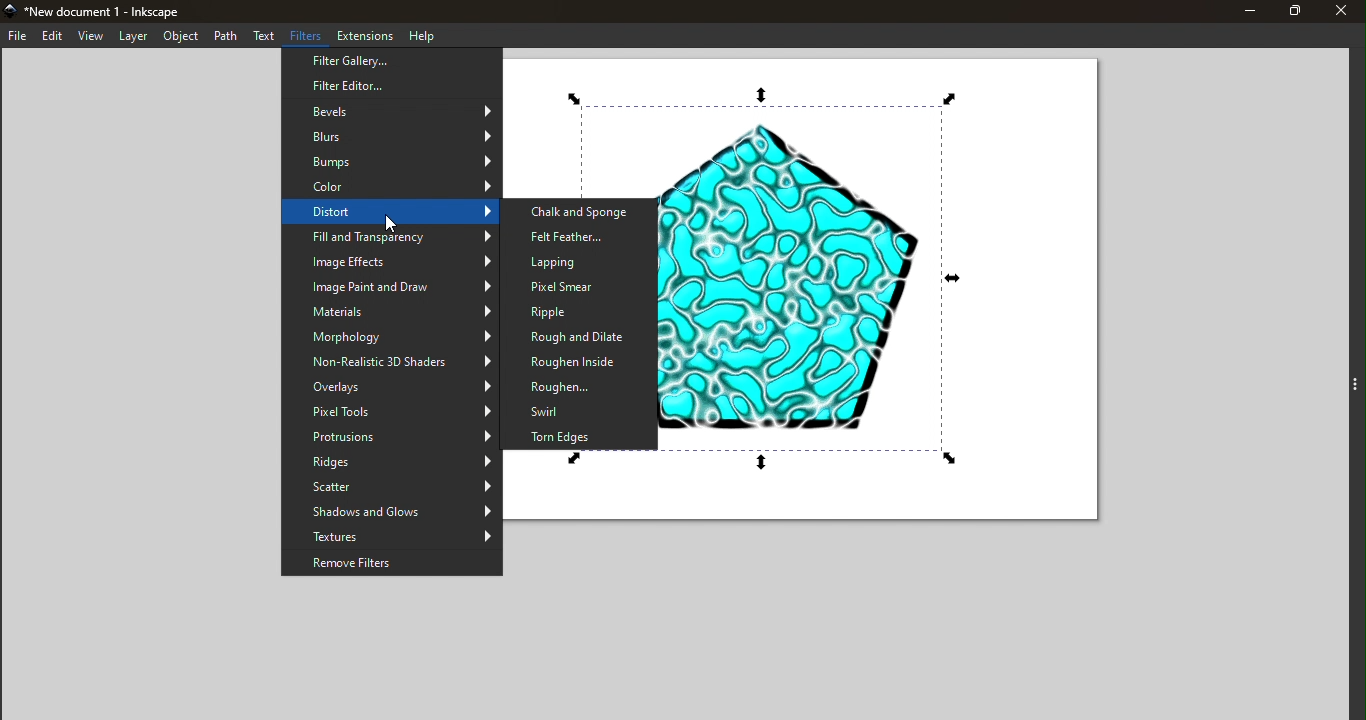 The height and width of the screenshot is (720, 1366). Describe the element at coordinates (265, 37) in the screenshot. I see `Text` at that location.